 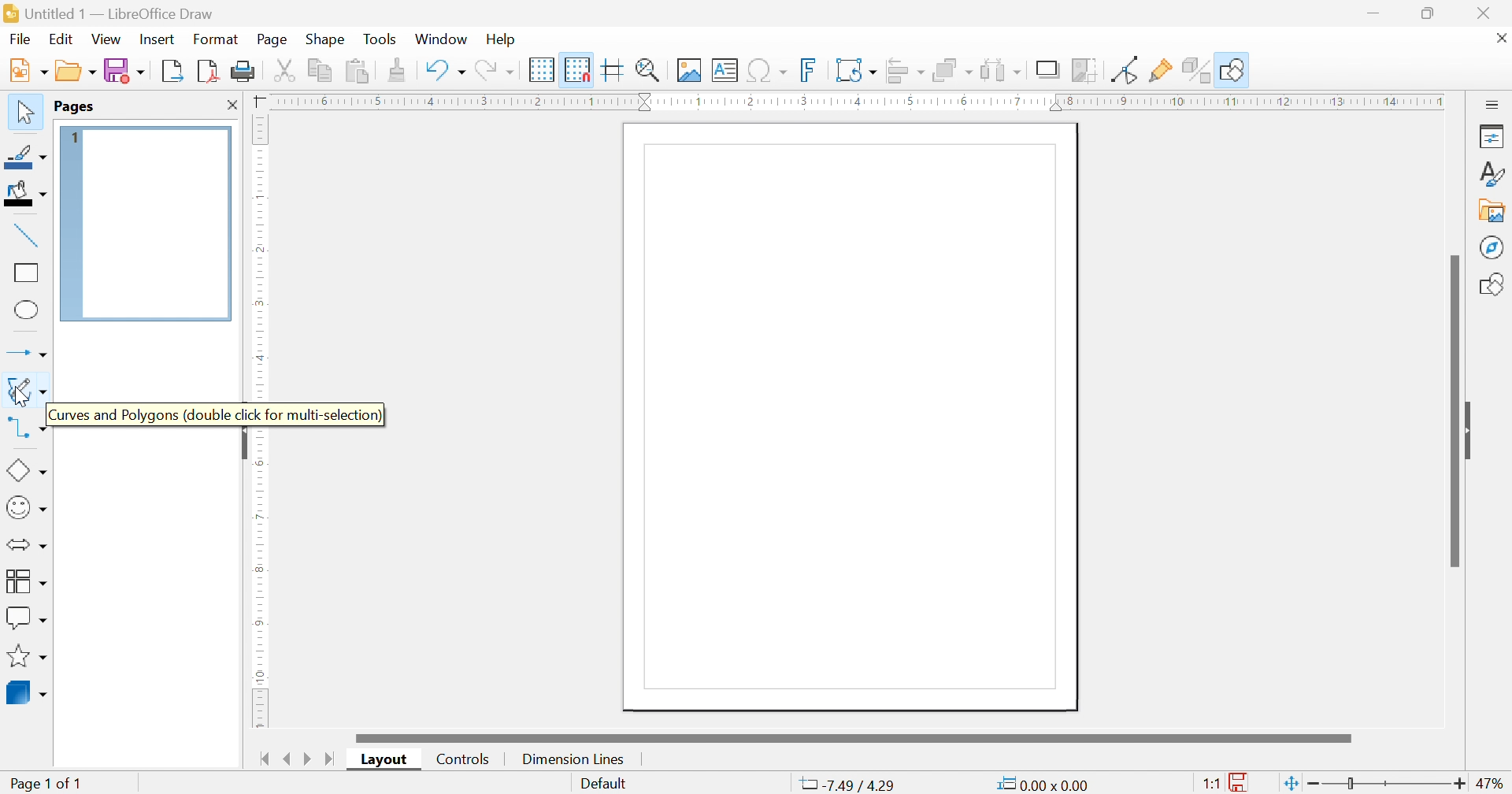 I want to click on properties, so click(x=1492, y=135).